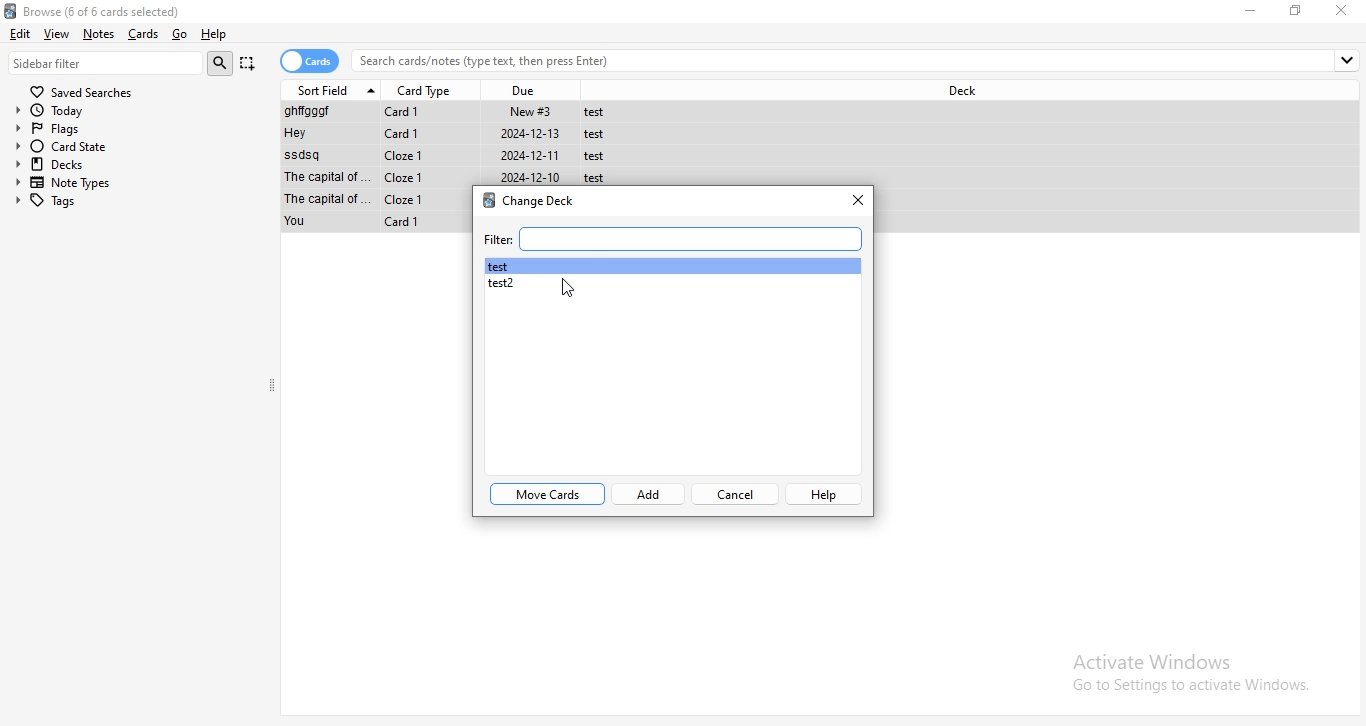  What do you see at coordinates (219, 36) in the screenshot?
I see `help` at bounding box center [219, 36].